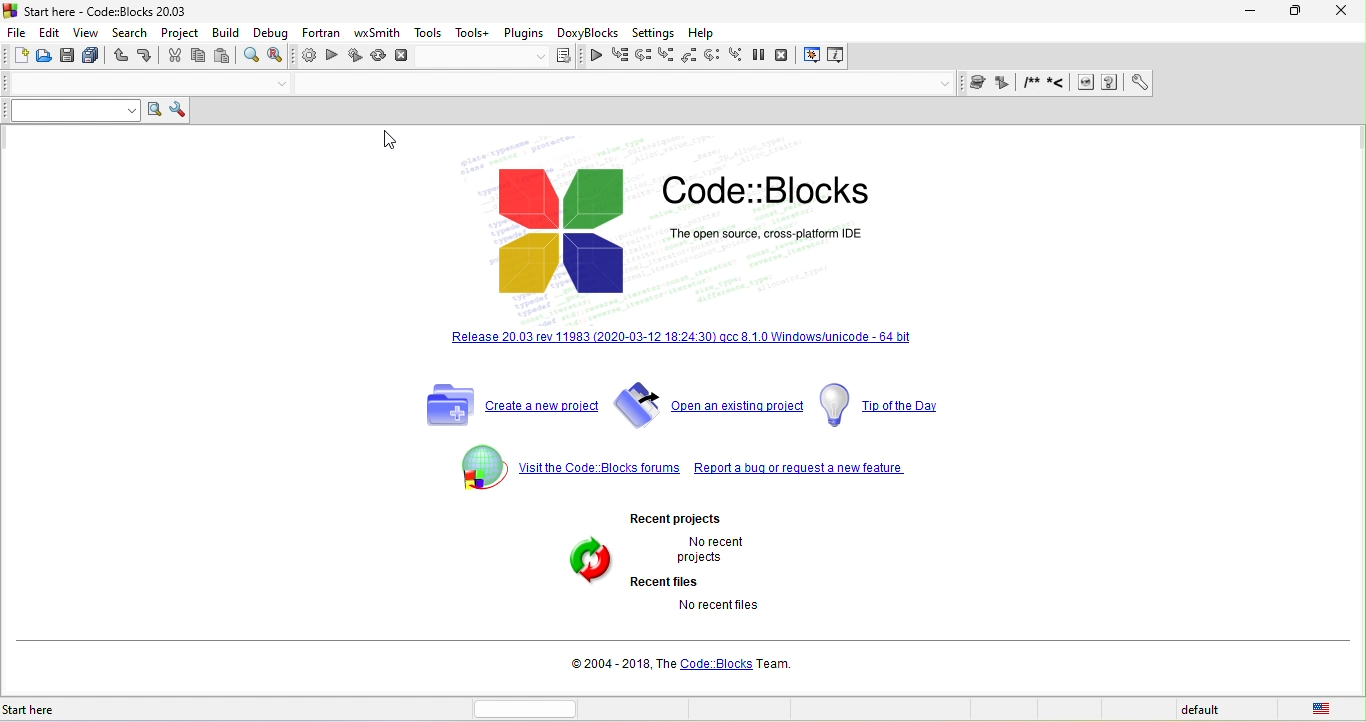  Describe the element at coordinates (43, 704) in the screenshot. I see `start here ` at that location.